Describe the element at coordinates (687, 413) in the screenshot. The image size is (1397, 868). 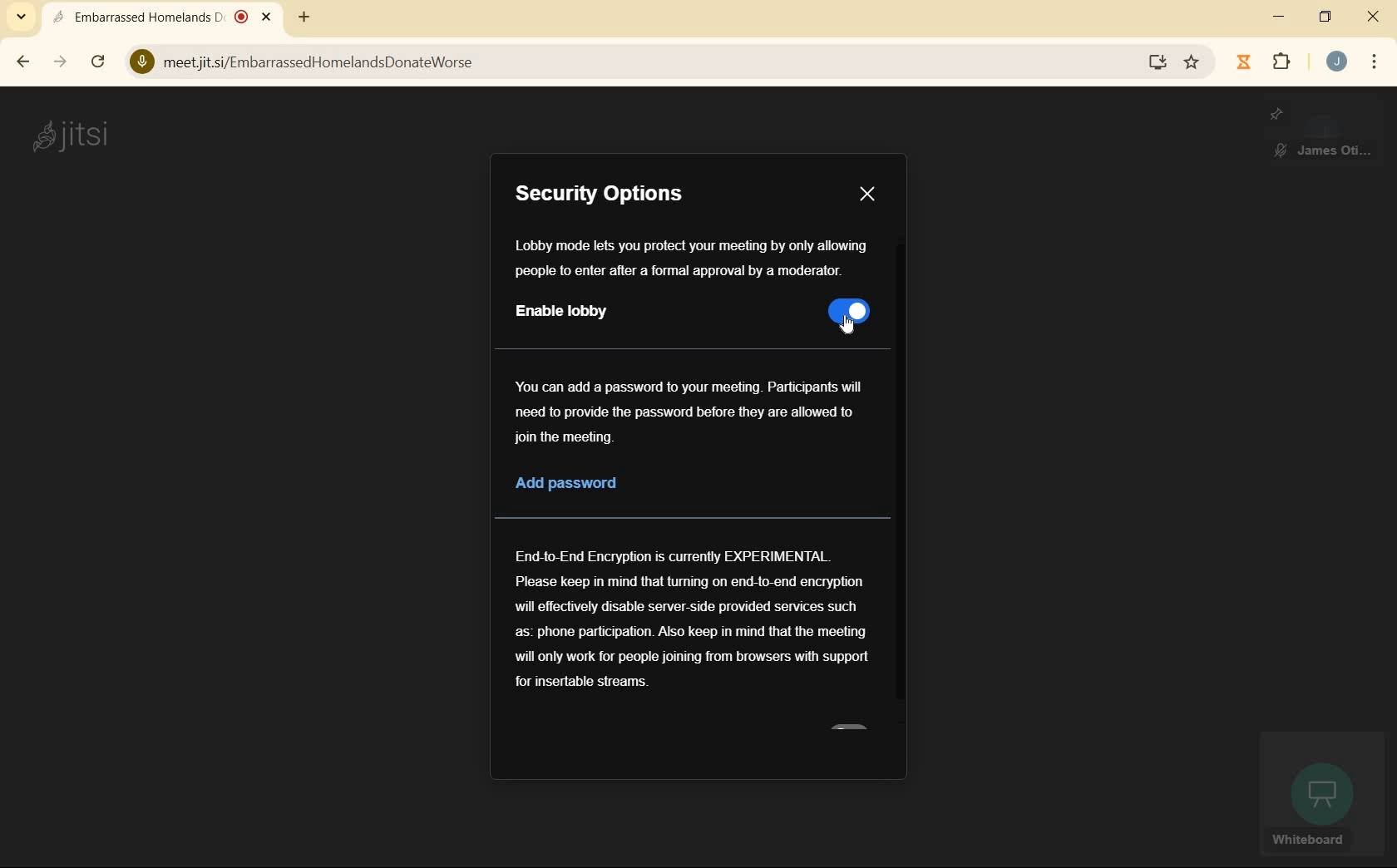
I see `instructions on adding password` at that location.